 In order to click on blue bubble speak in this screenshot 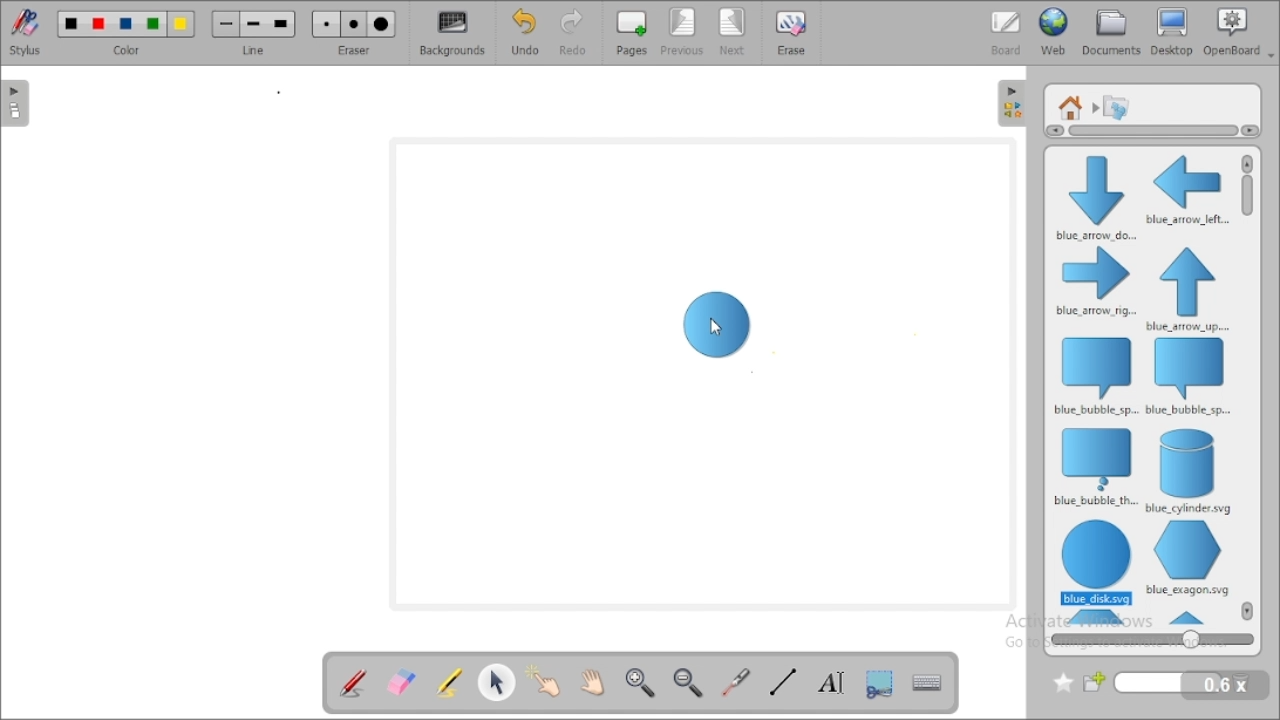, I will do `click(1094, 375)`.